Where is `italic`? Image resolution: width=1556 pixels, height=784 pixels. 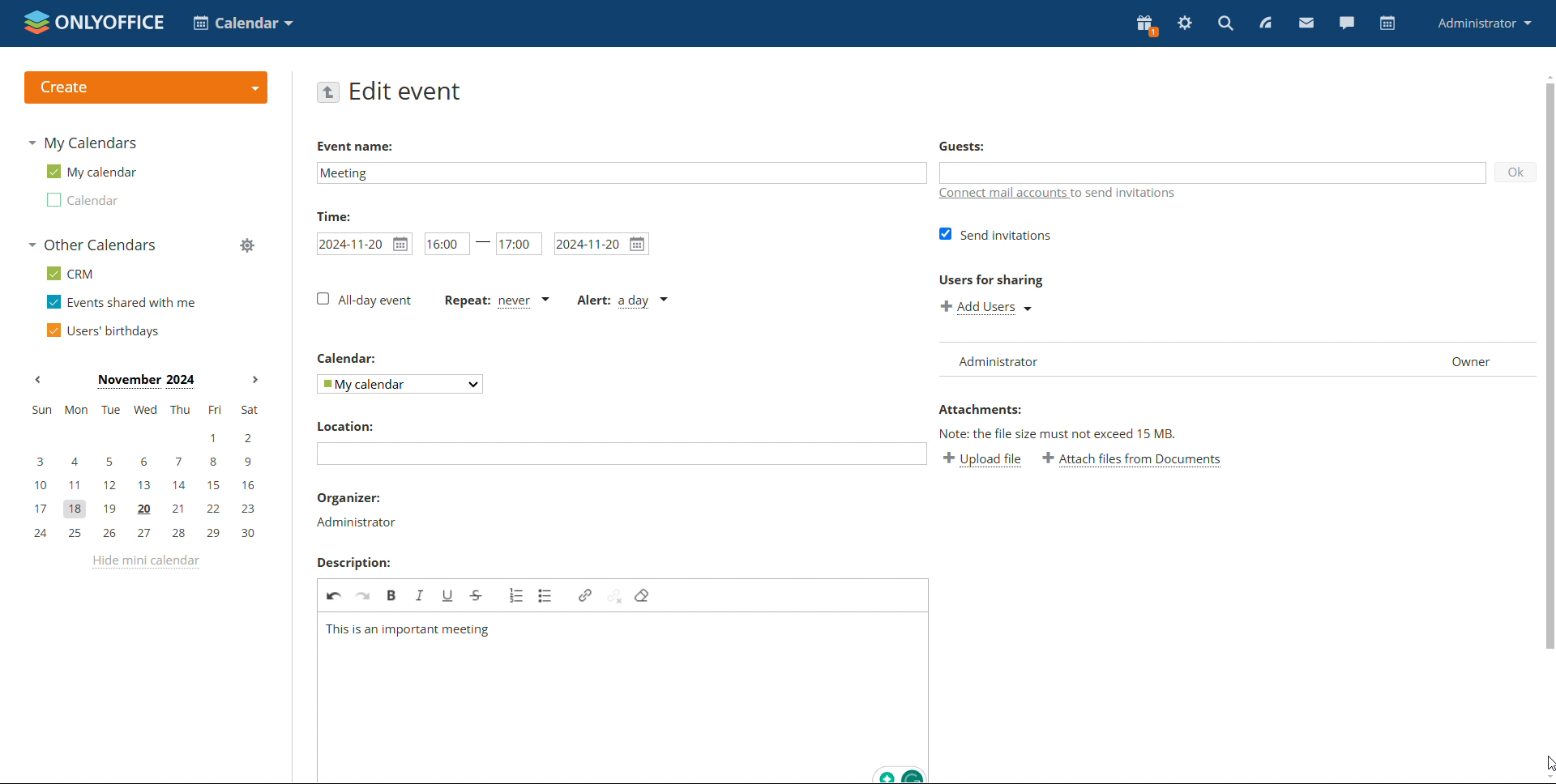 italic is located at coordinates (420, 596).